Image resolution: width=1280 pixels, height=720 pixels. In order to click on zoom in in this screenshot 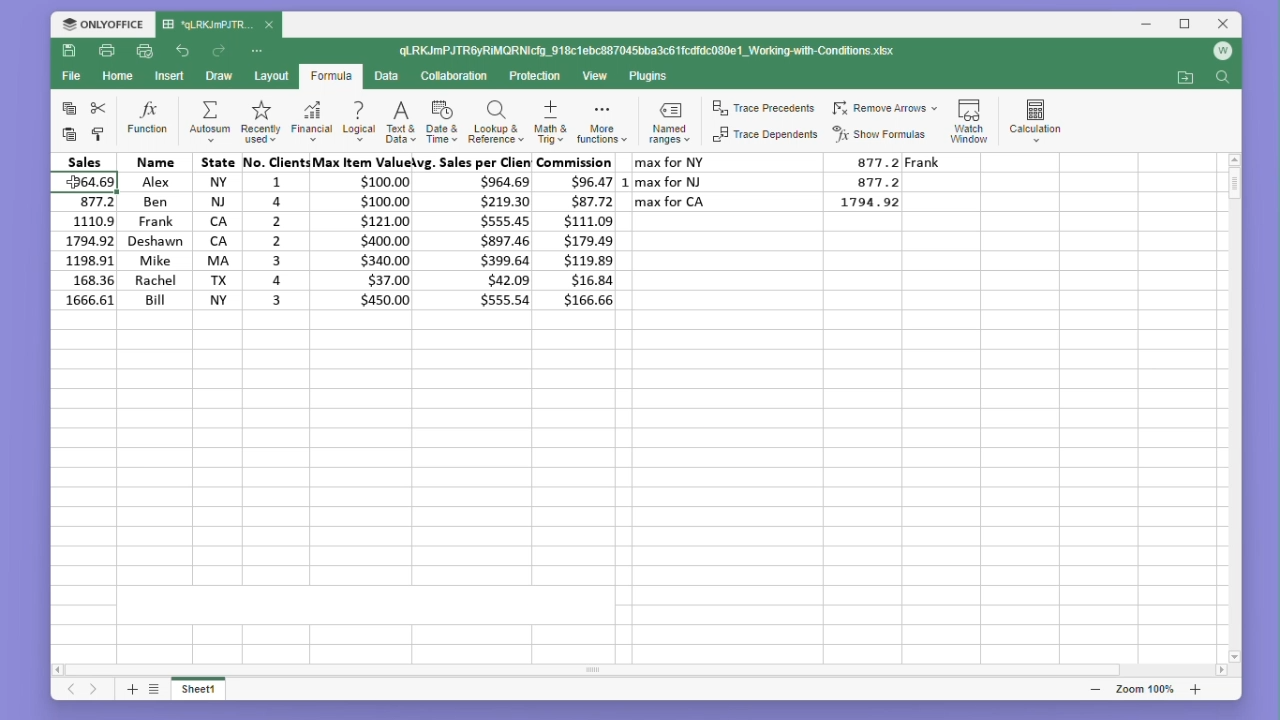, I will do `click(1195, 689)`.